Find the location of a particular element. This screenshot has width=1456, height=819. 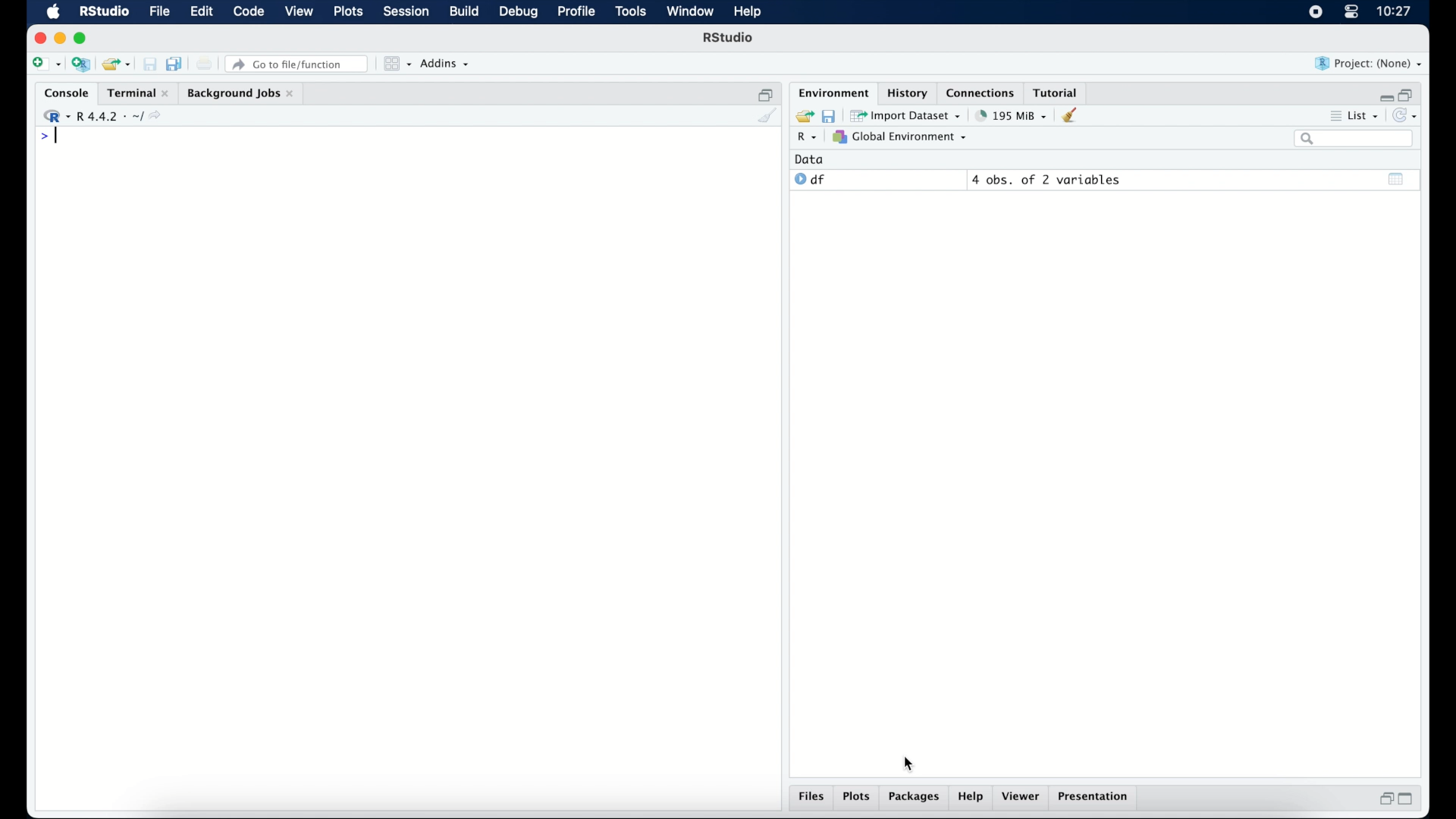

console is located at coordinates (63, 93).